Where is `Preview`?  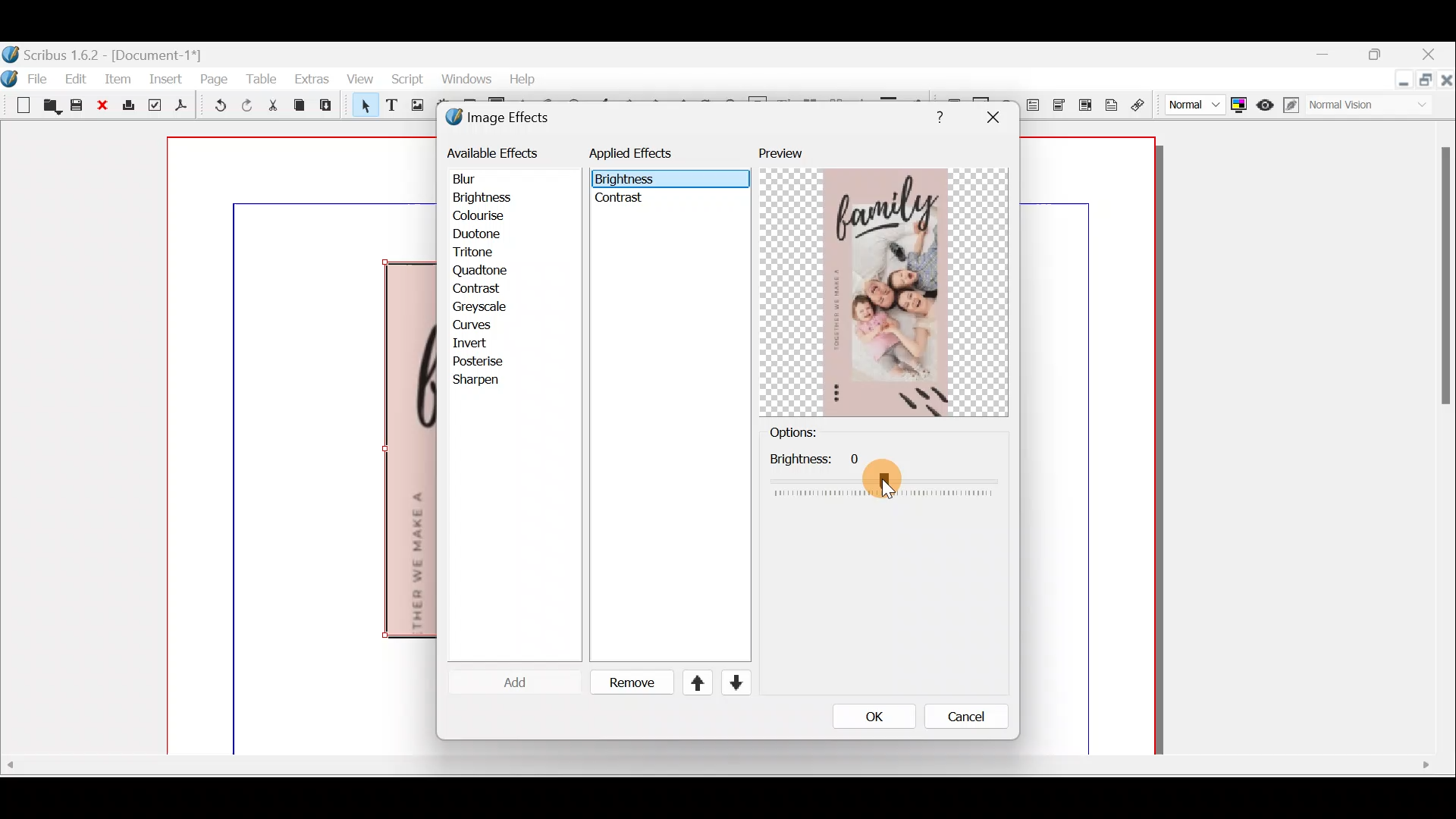
Preview is located at coordinates (883, 281).